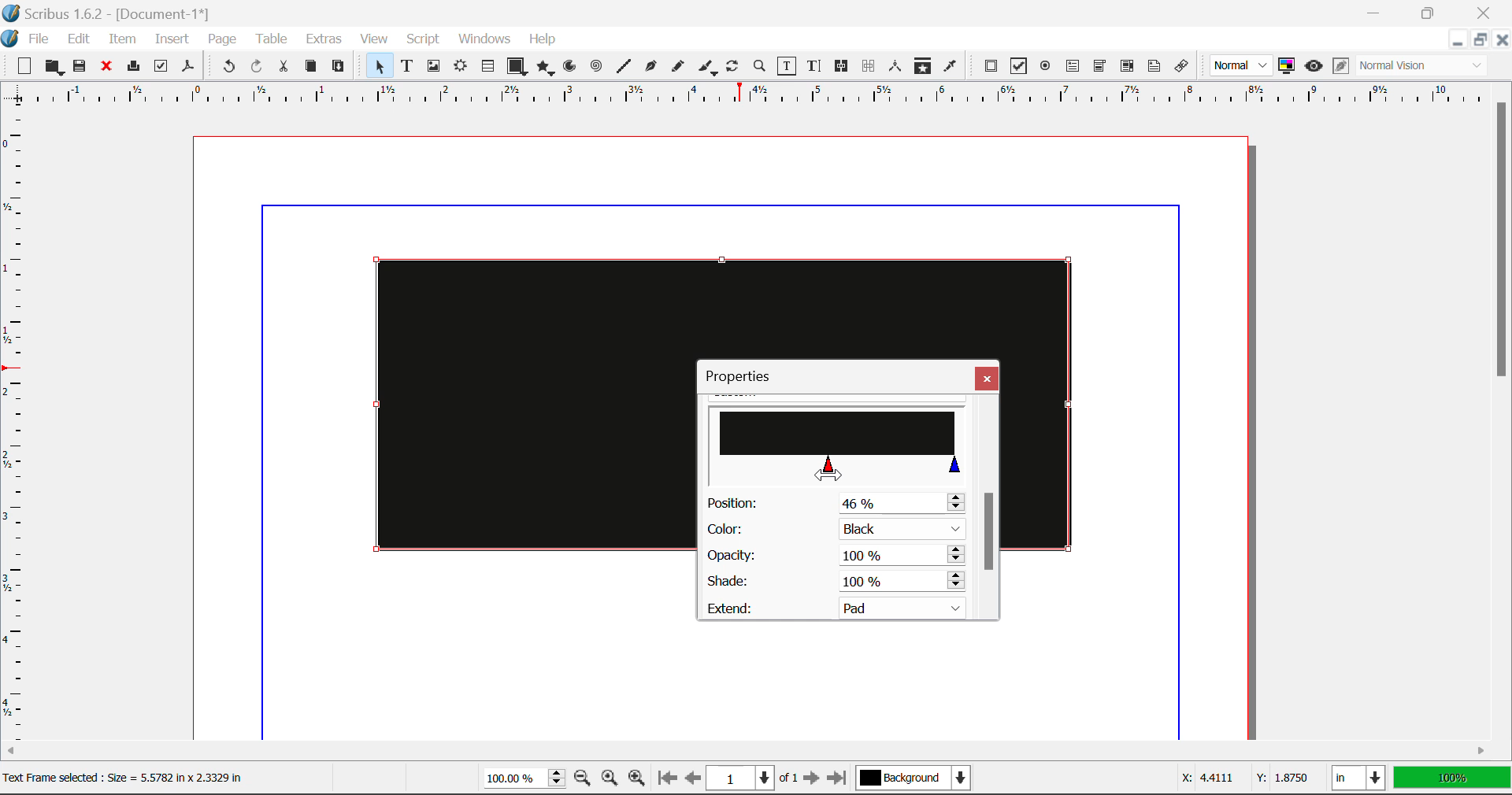 This screenshot has height=795, width=1512. I want to click on Undo, so click(228, 68).